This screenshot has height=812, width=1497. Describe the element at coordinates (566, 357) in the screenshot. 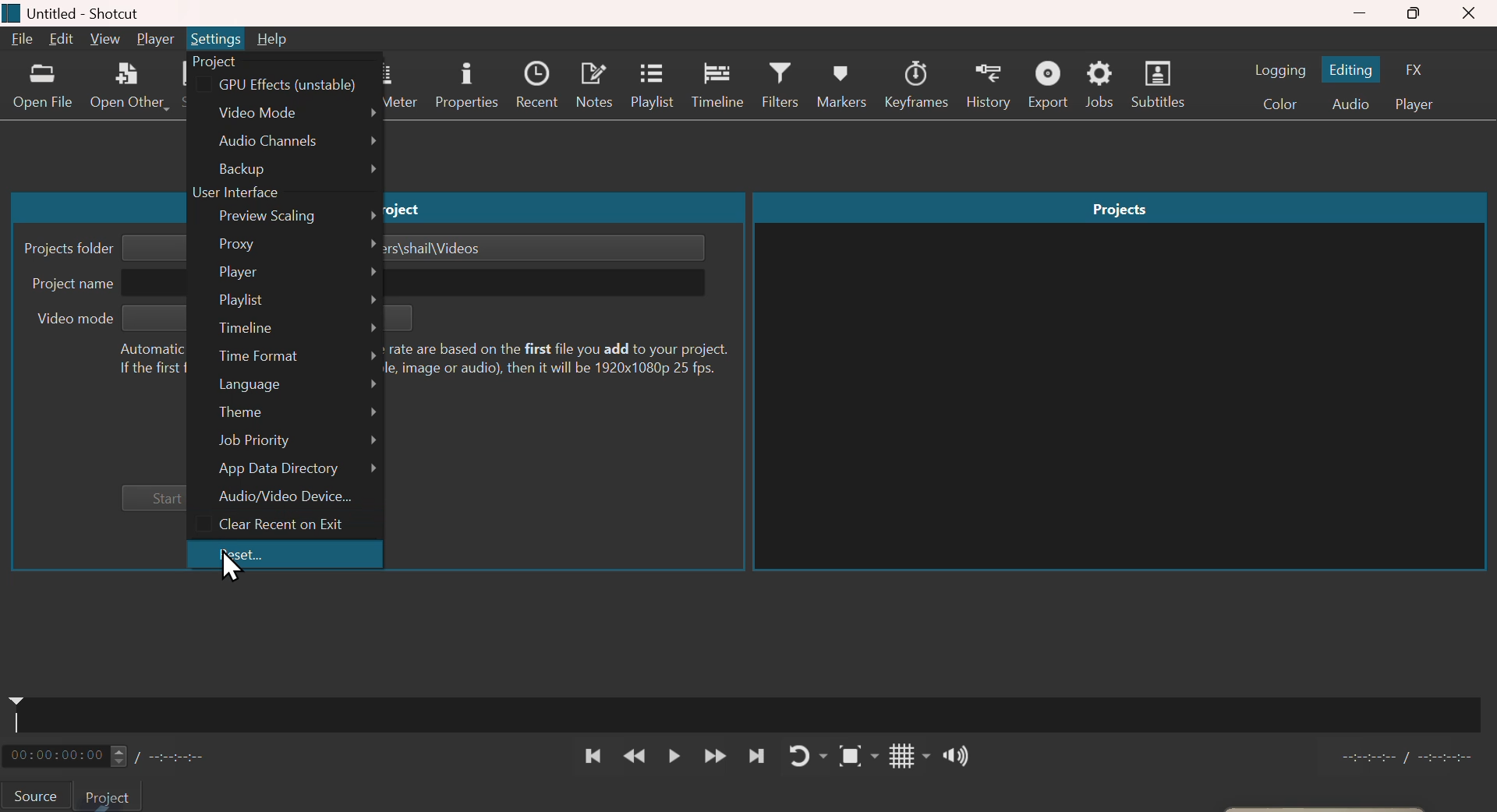

I see `text` at that location.